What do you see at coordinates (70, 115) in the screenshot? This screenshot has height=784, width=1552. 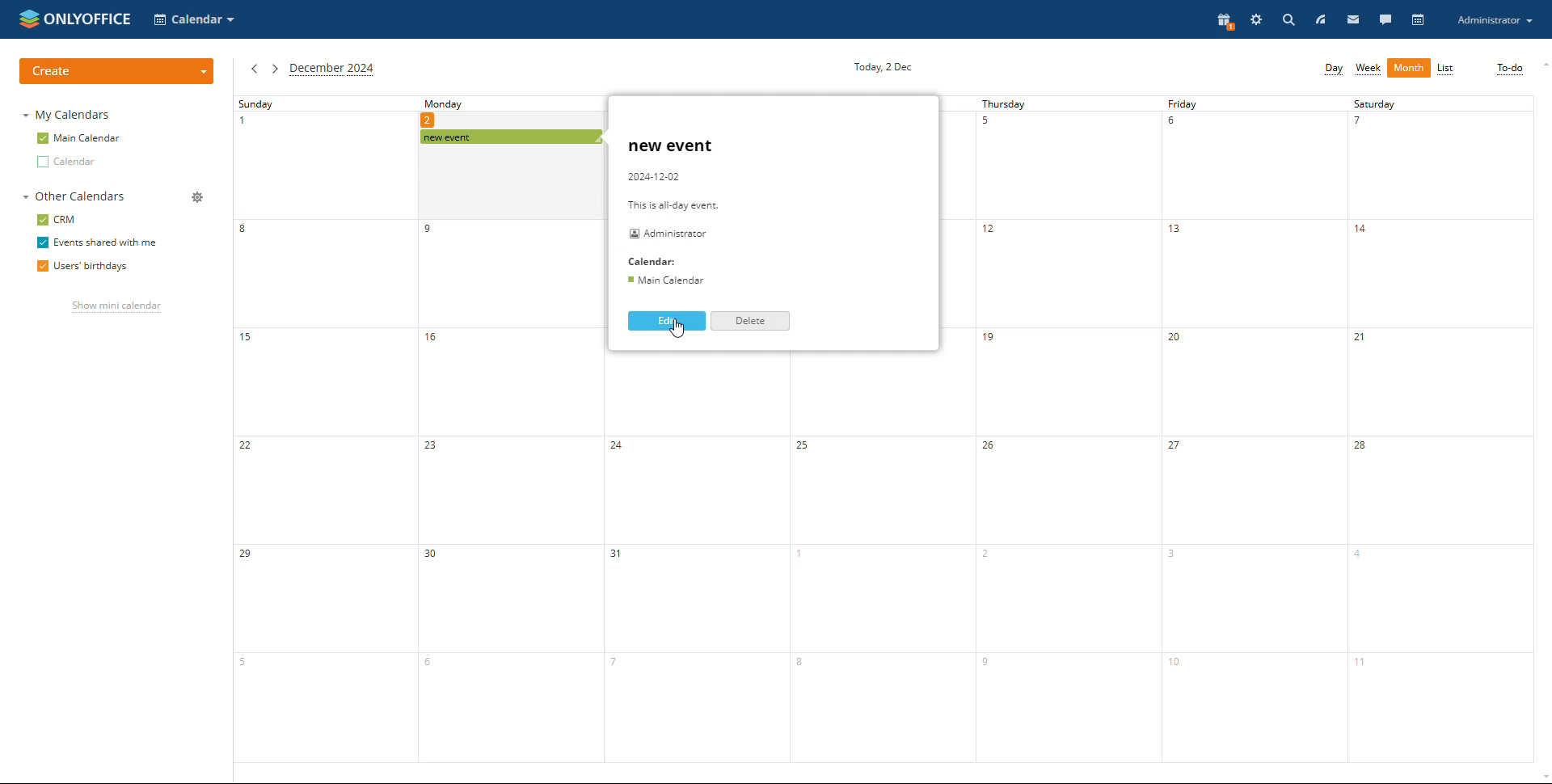 I see `my calendars` at bounding box center [70, 115].